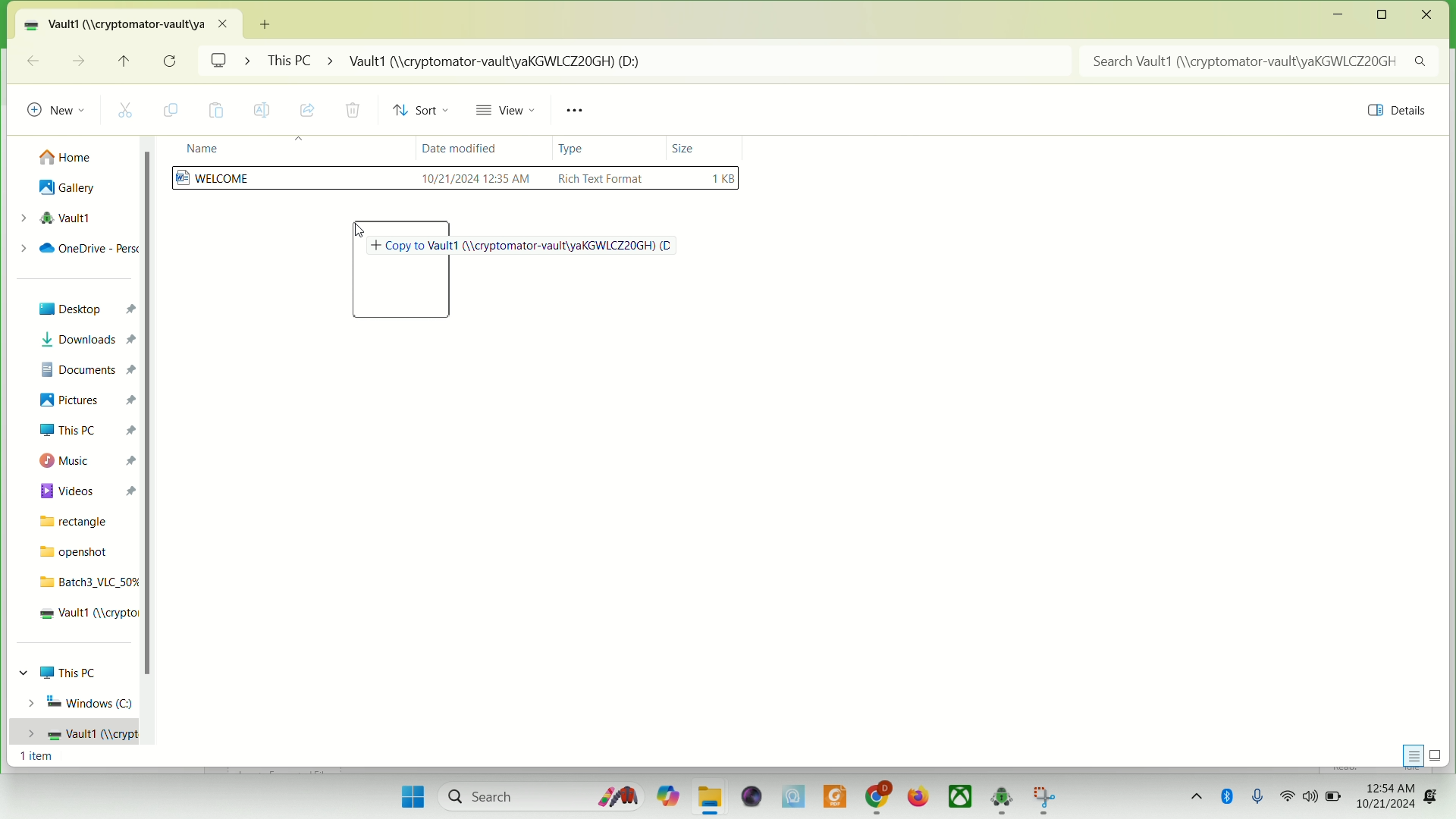  What do you see at coordinates (1263, 61) in the screenshot?
I see `search Vault1 (//cryptomator-vault/)` at bounding box center [1263, 61].